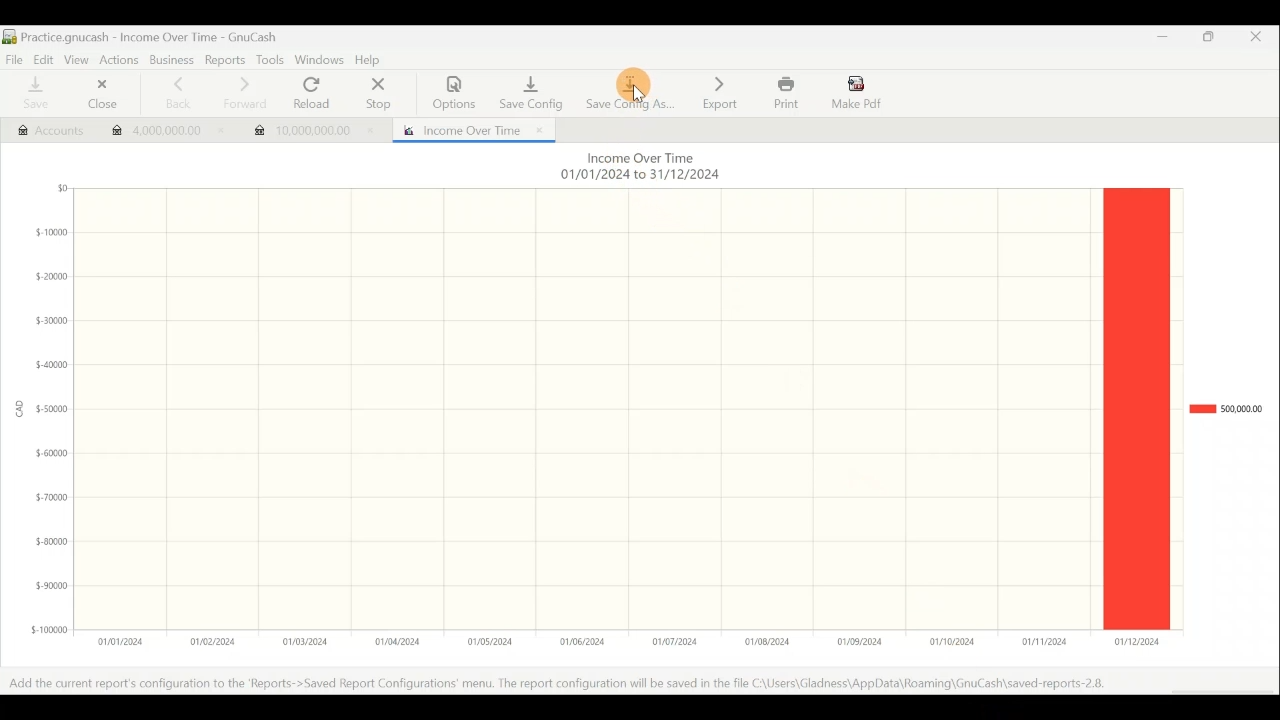  I want to click on File location, so click(570, 684).